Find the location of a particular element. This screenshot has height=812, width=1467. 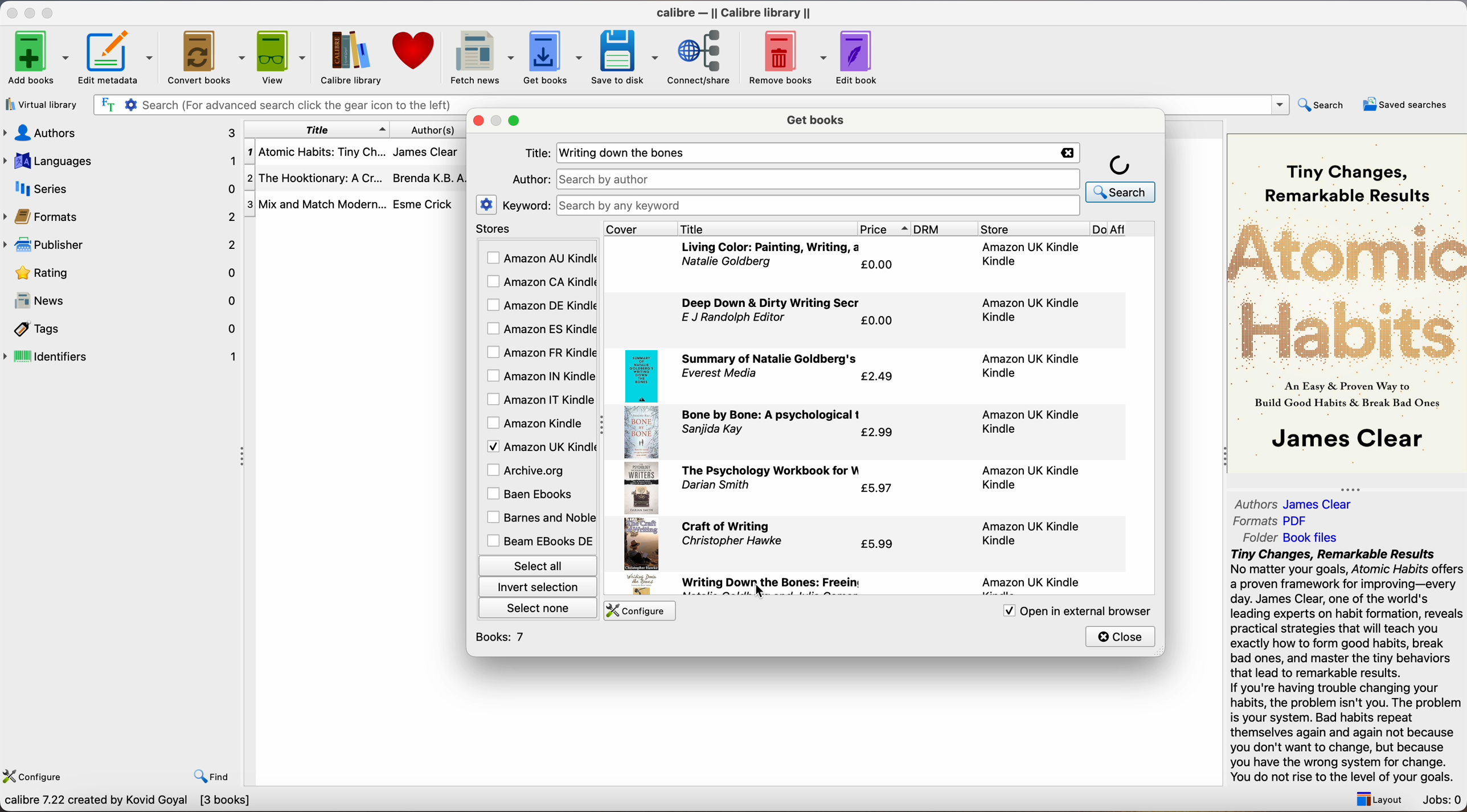

get books is located at coordinates (818, 118).